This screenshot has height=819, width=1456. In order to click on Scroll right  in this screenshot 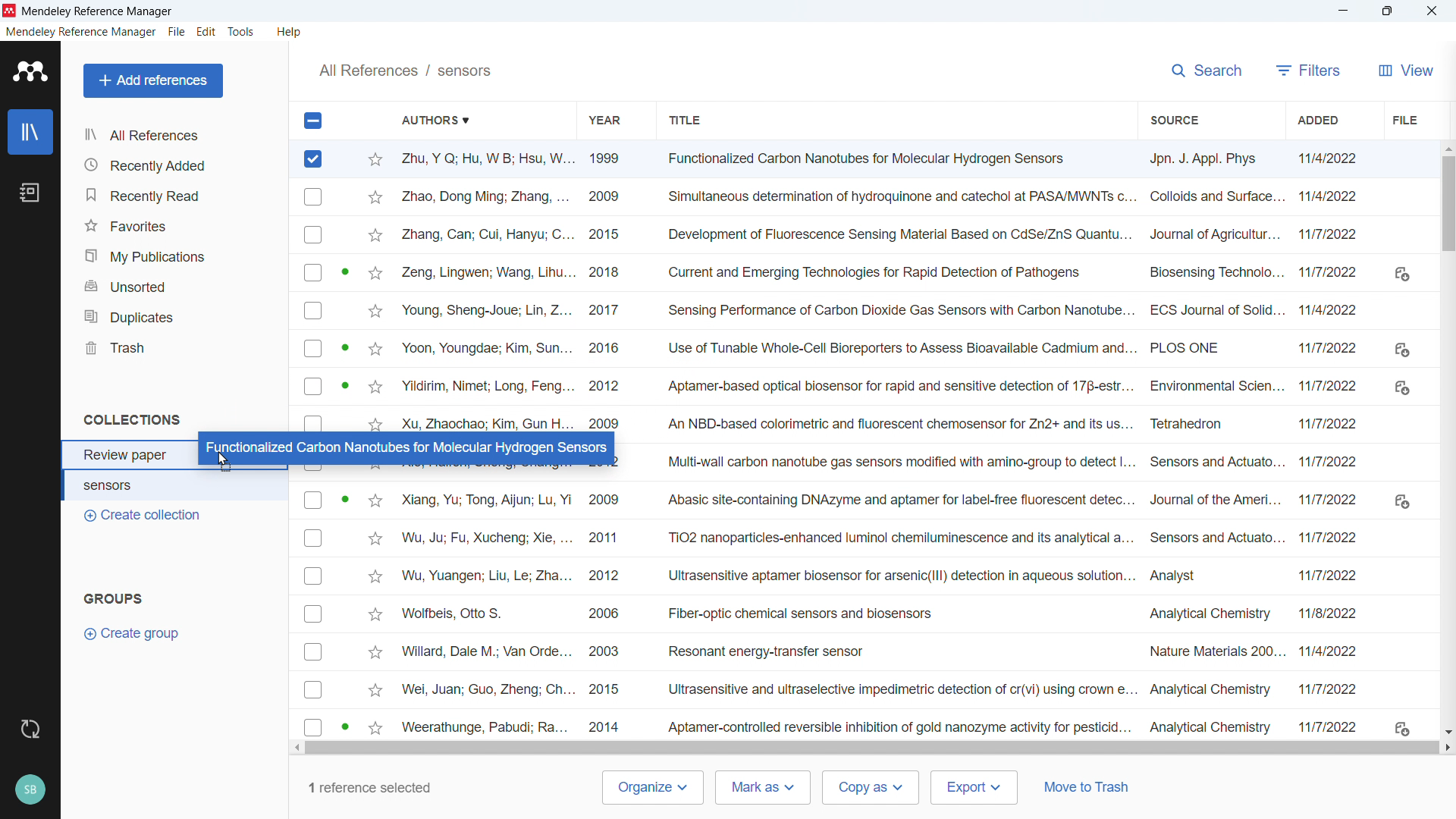, I will do `click(1447, 747)`.